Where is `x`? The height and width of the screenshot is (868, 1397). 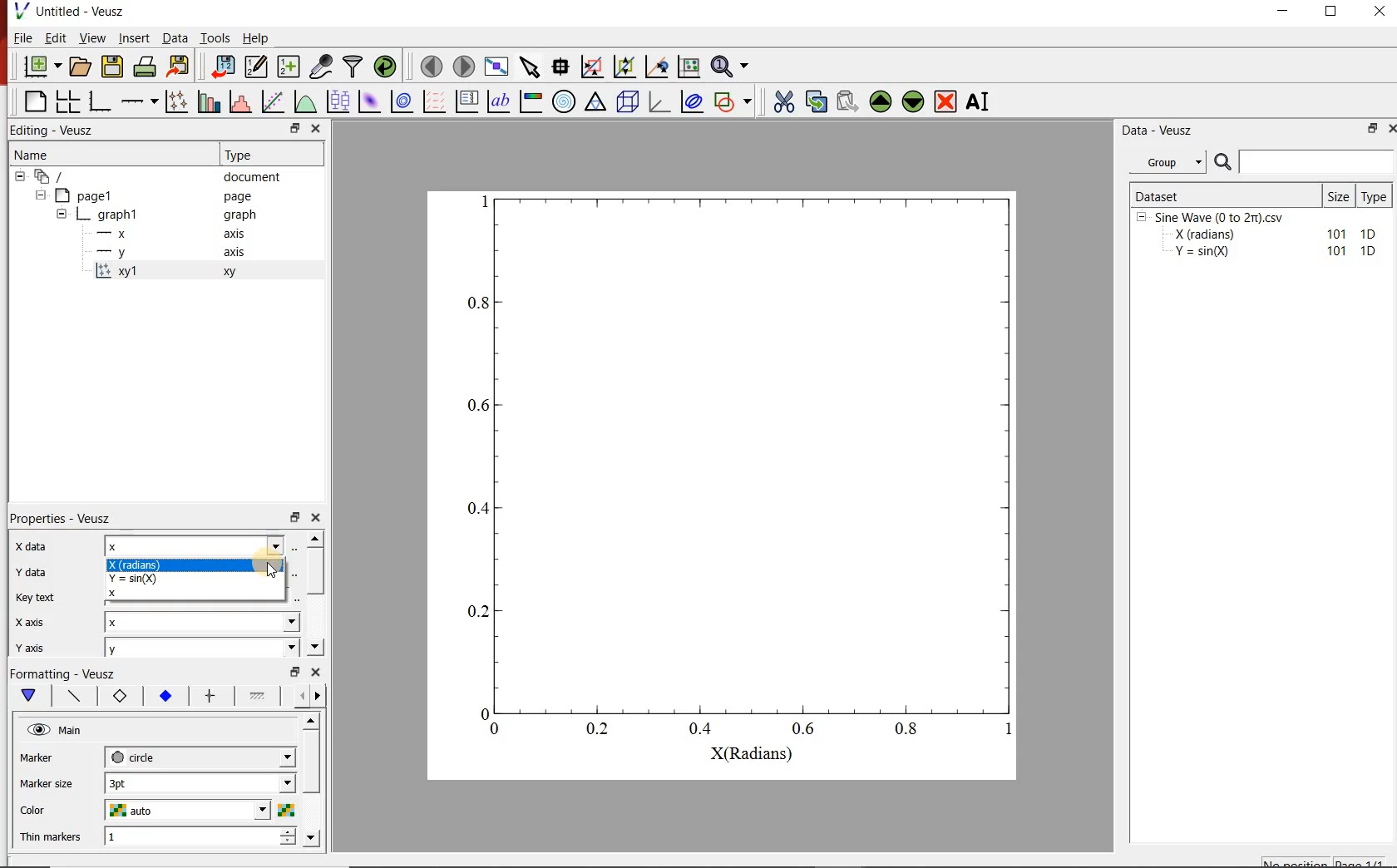 x is located at coordinates (205, 624).